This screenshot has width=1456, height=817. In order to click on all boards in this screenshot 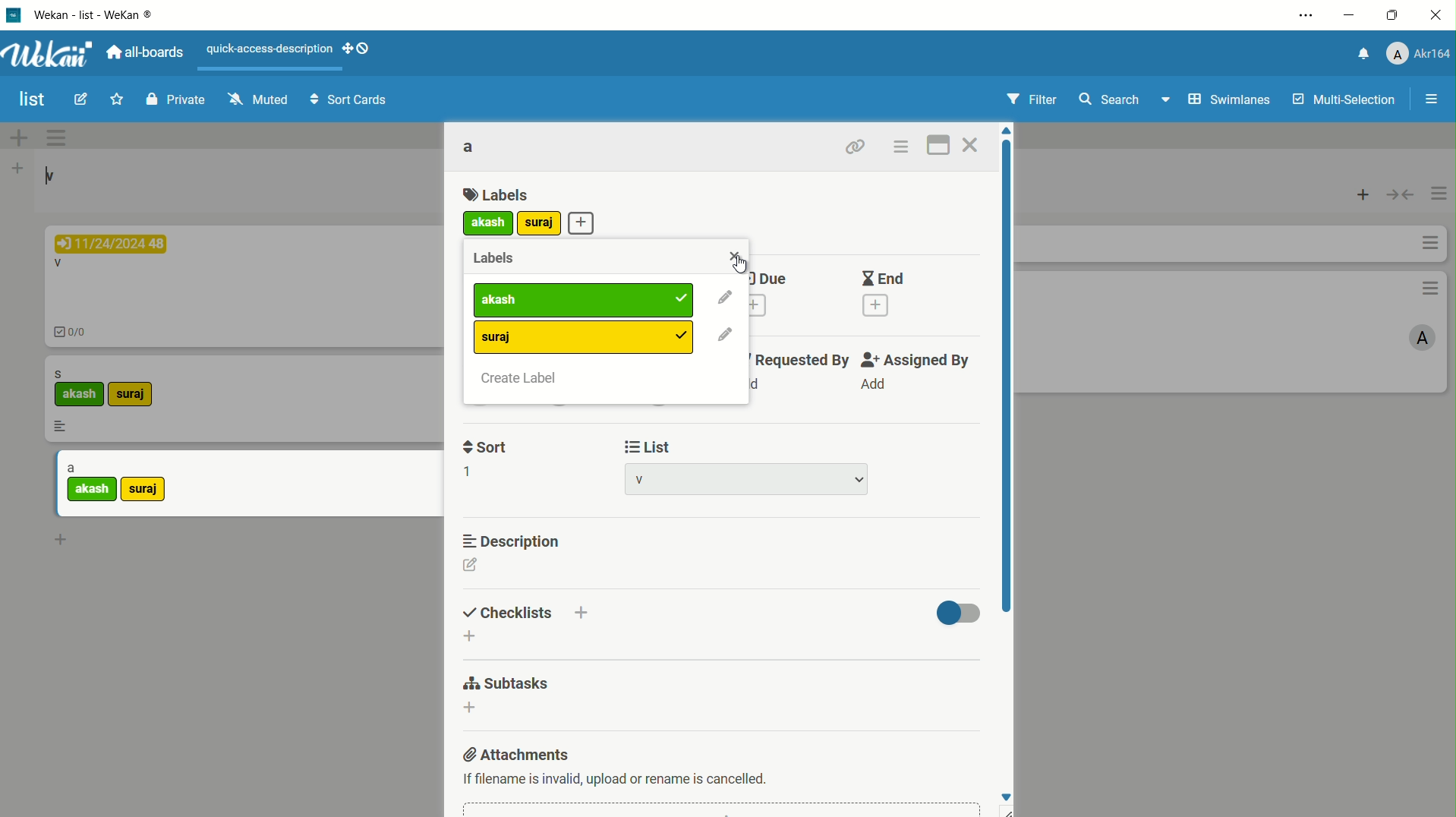, I will do `click(148, 51)`.